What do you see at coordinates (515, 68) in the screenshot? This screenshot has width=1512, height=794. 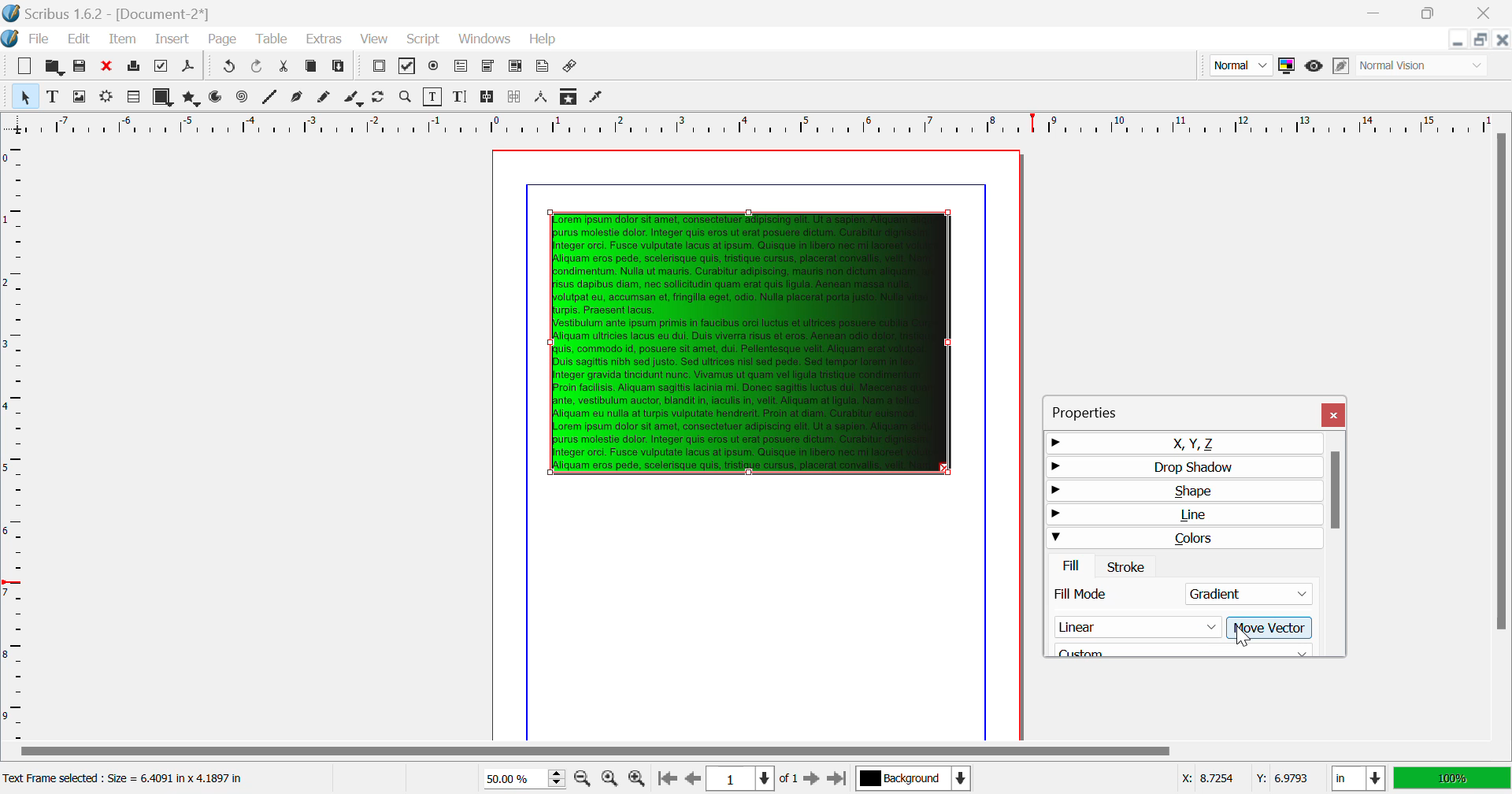 I see `Pdf List Box` at bounding box center [515, 68].